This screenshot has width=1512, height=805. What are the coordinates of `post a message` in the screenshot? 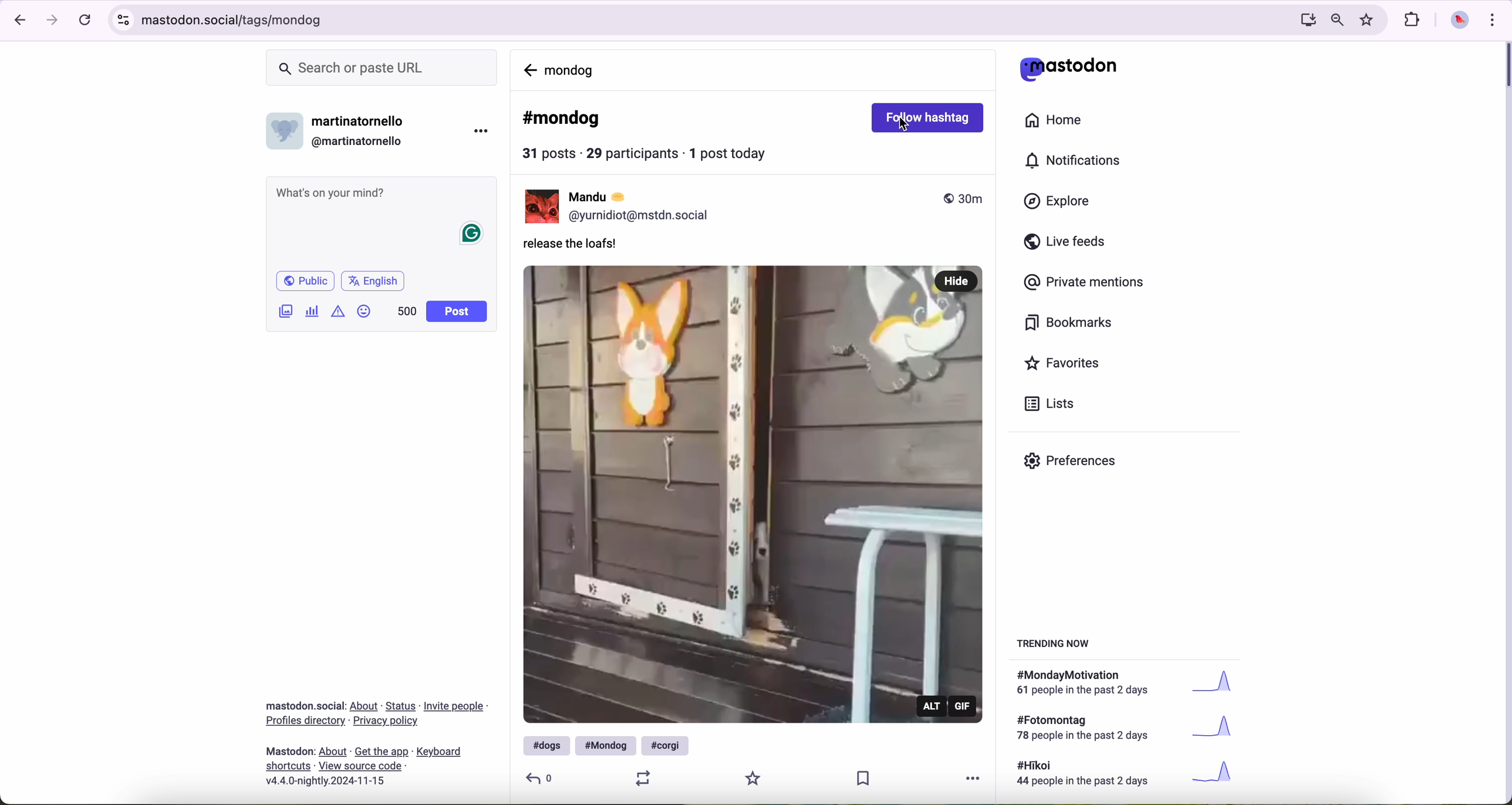 It's located at (383, 194).